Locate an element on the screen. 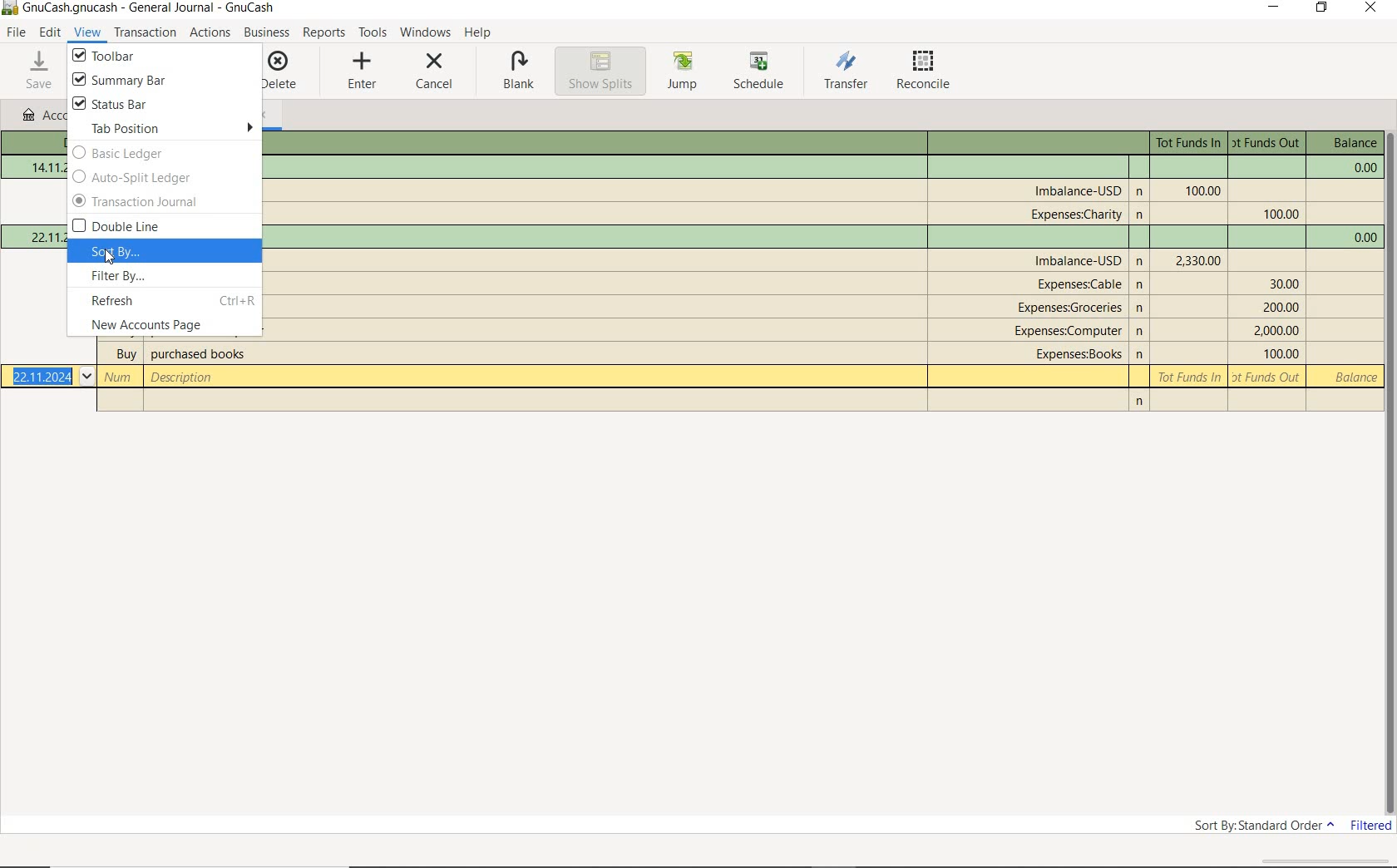 The image size is (1397, 868). Tot Funds Out is located at coordinates (1279, 354).